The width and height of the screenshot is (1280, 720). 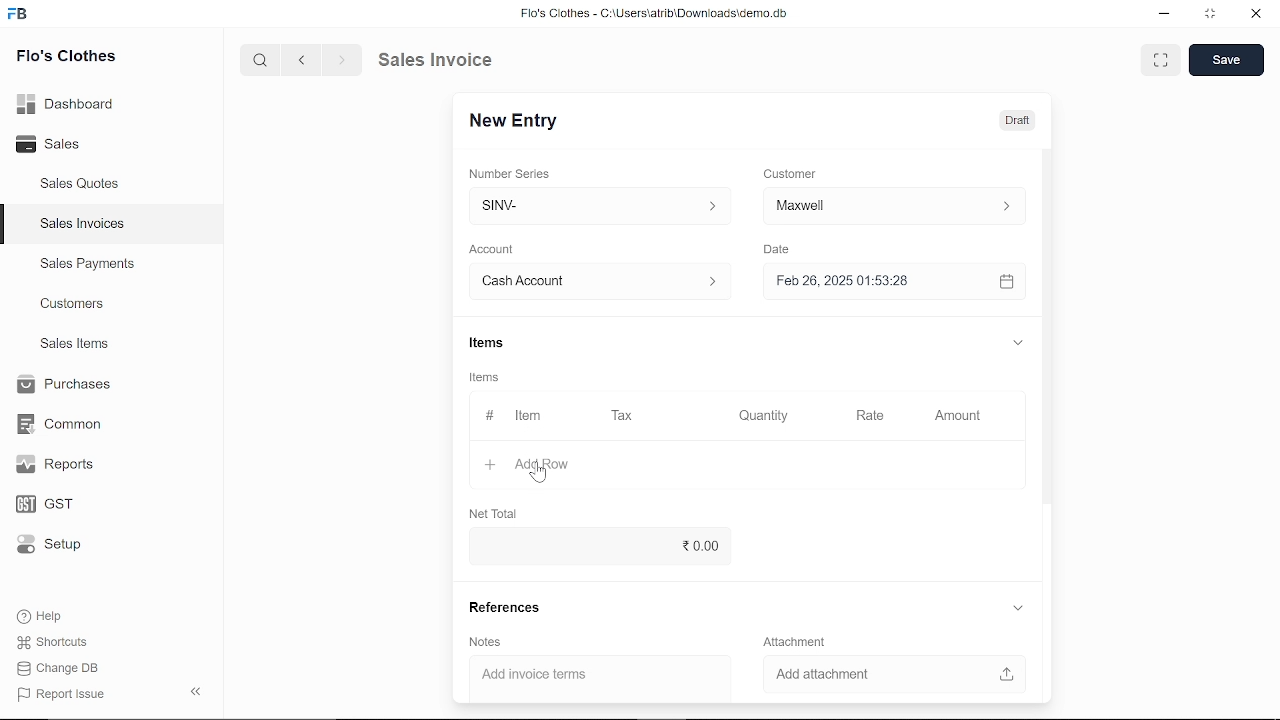 I want to click on Dashboard, so click(x=70, y=103).